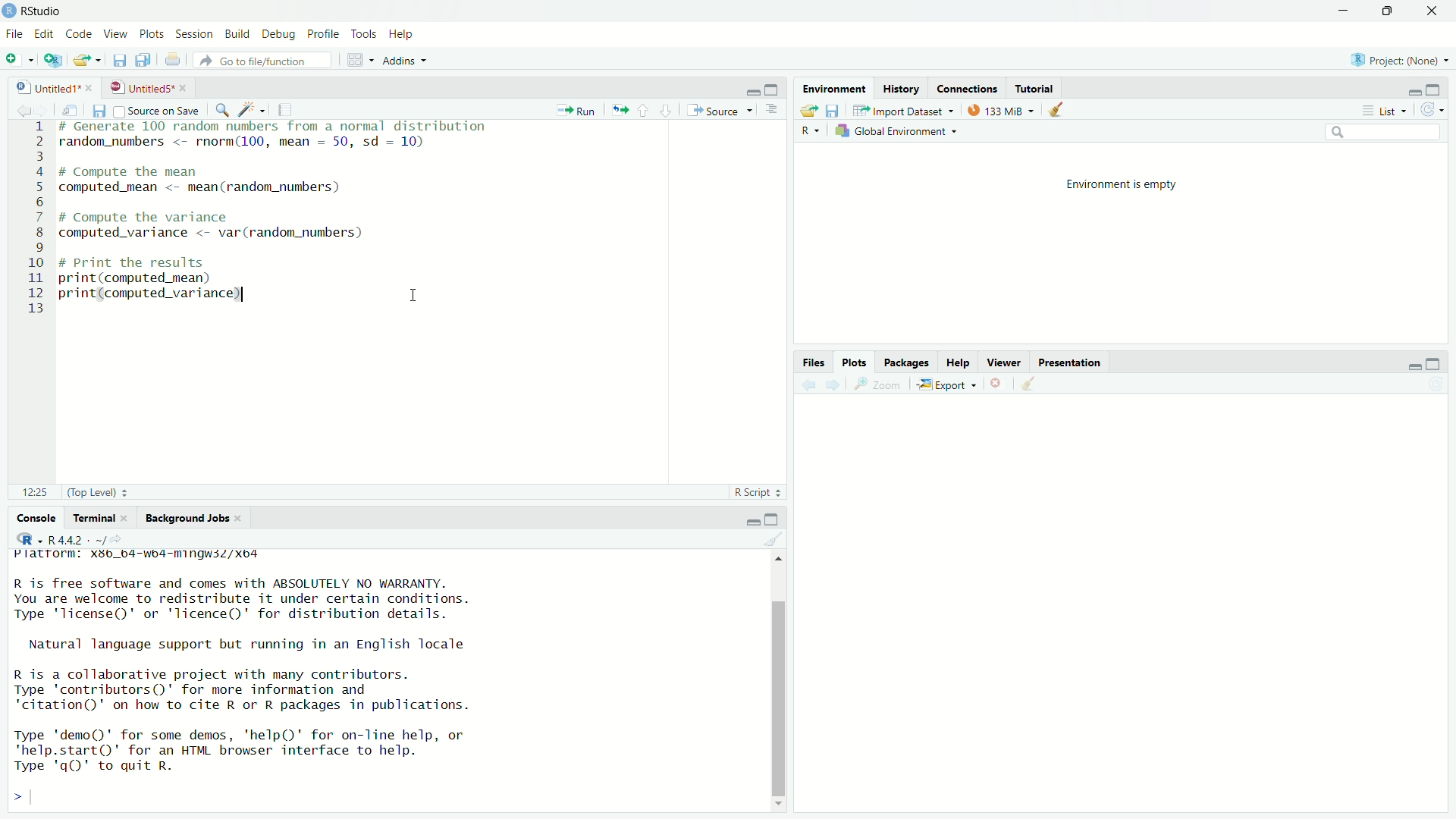 The width and height of the screenshot is (1456, 819). I want to click on typing cursor, so click(39, 797).